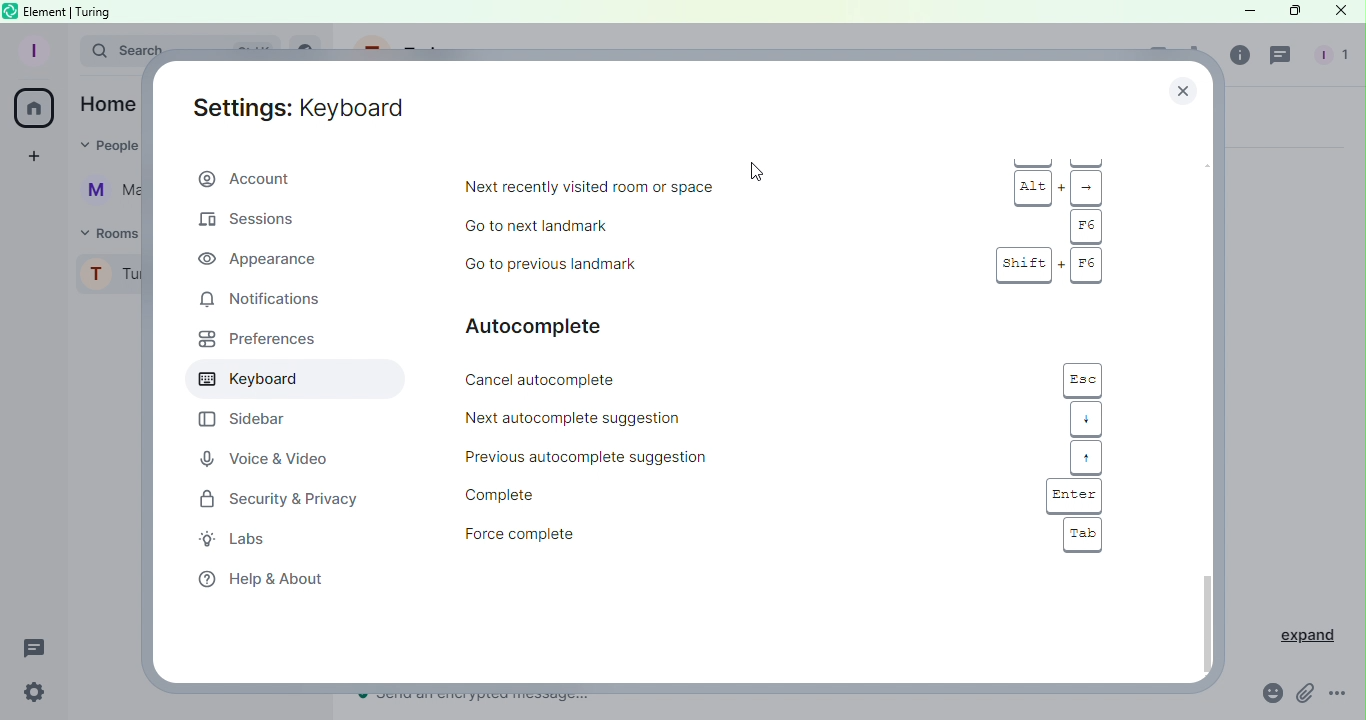  I want to click on up arrow, so click(1087, 459).